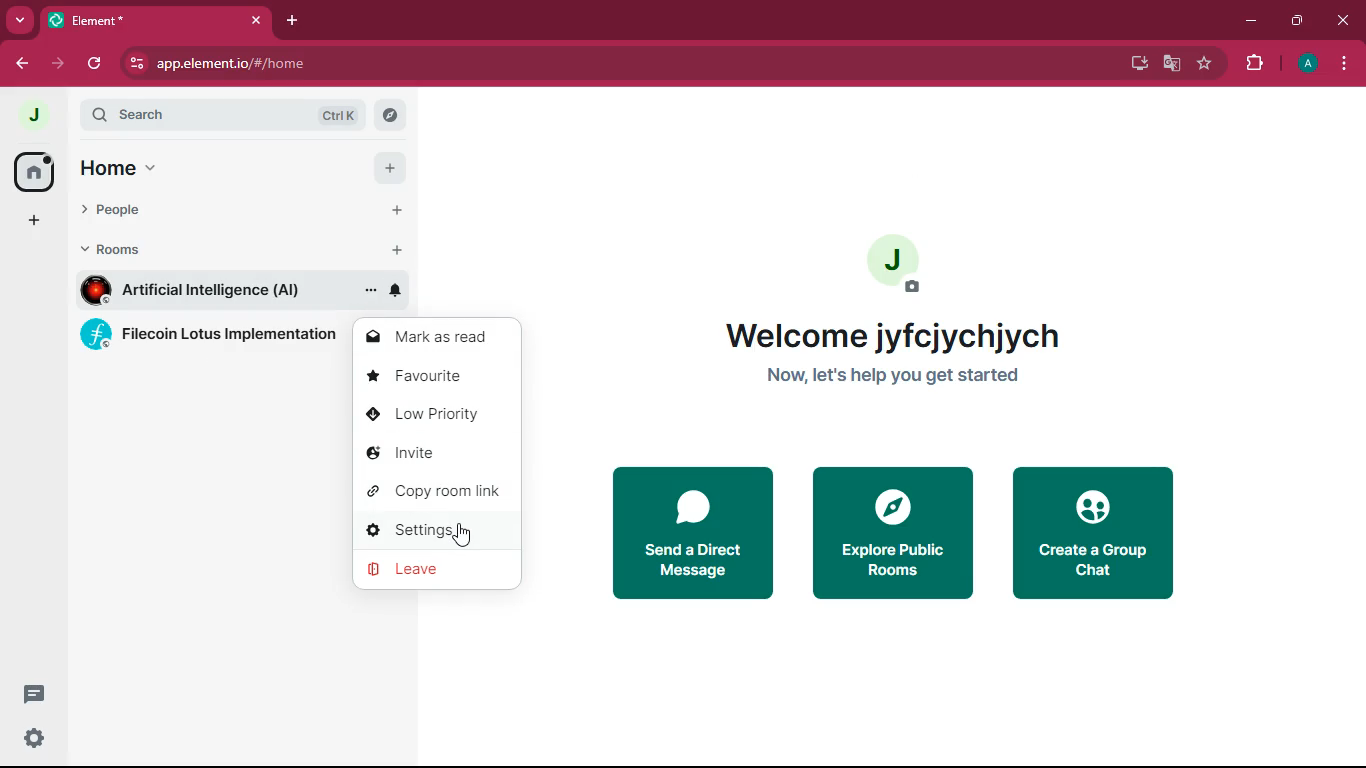  What do you see at coordinates (893, 376) in the screenshot?
I see `get started` at bounding box center [893, 376].